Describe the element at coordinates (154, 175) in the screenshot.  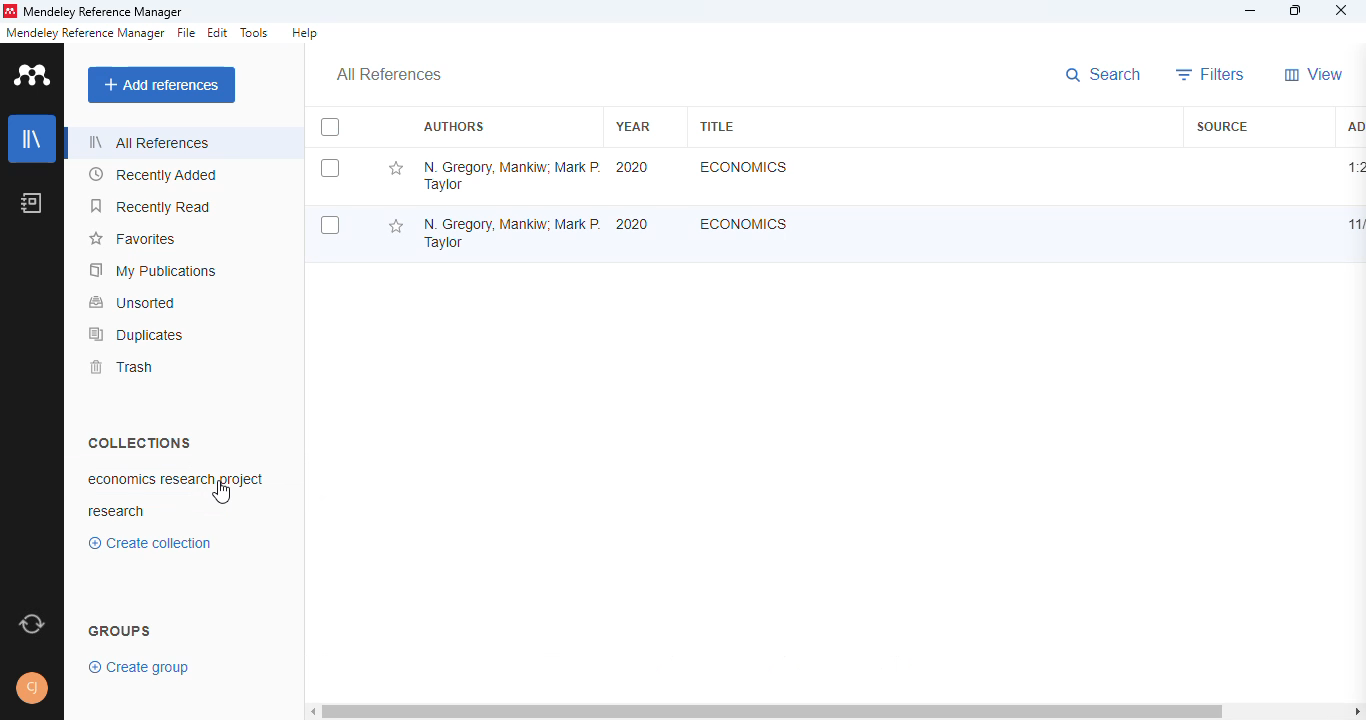
I see `recently added` at that location.